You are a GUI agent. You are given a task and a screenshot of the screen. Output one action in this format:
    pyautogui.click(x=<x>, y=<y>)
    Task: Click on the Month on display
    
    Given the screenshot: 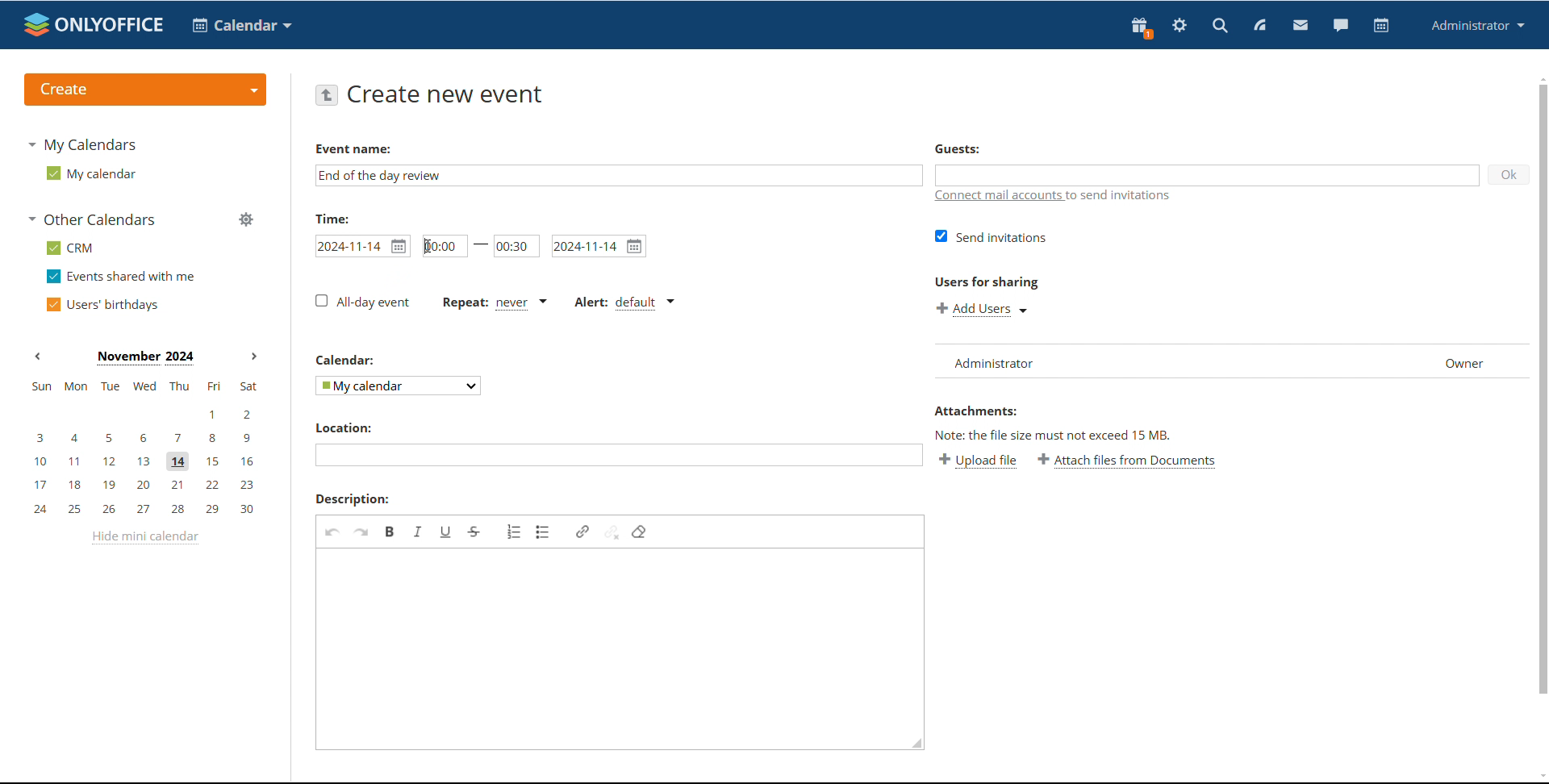 What is the action you would take?
    pyautogui.click(x=145, y=358)
    